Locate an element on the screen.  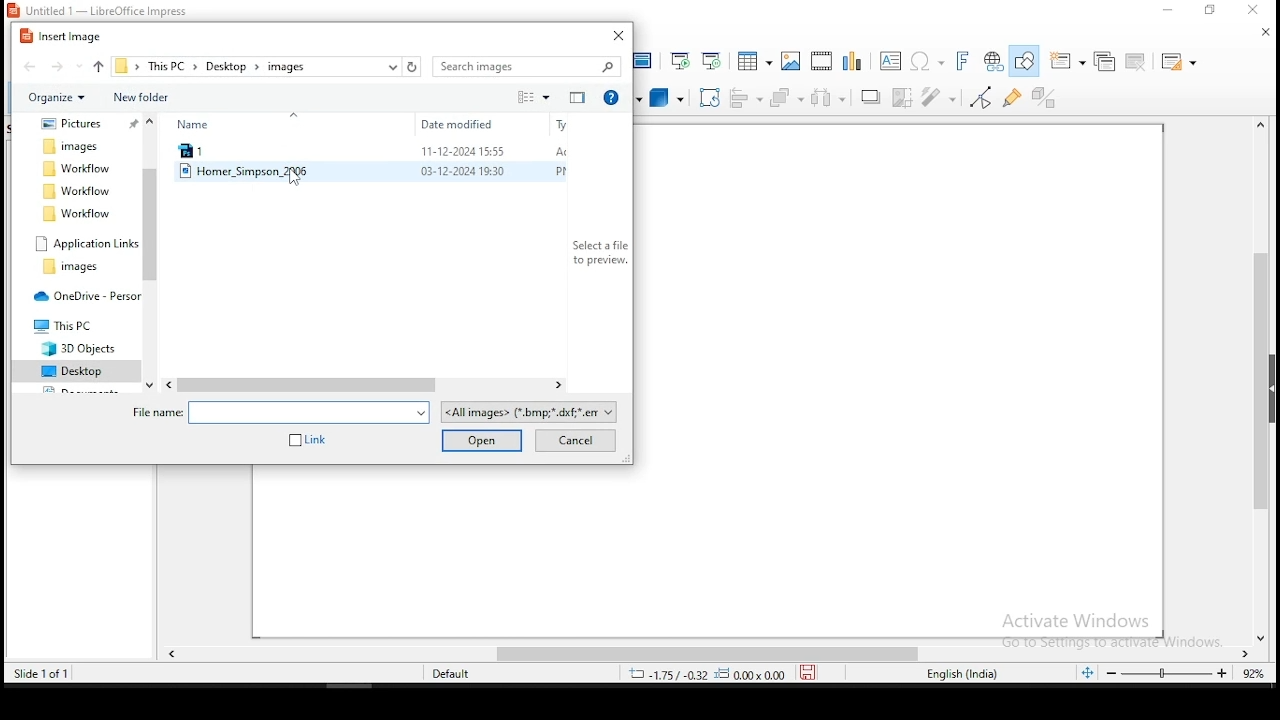
3D objects is located at coordinates (665, 95).